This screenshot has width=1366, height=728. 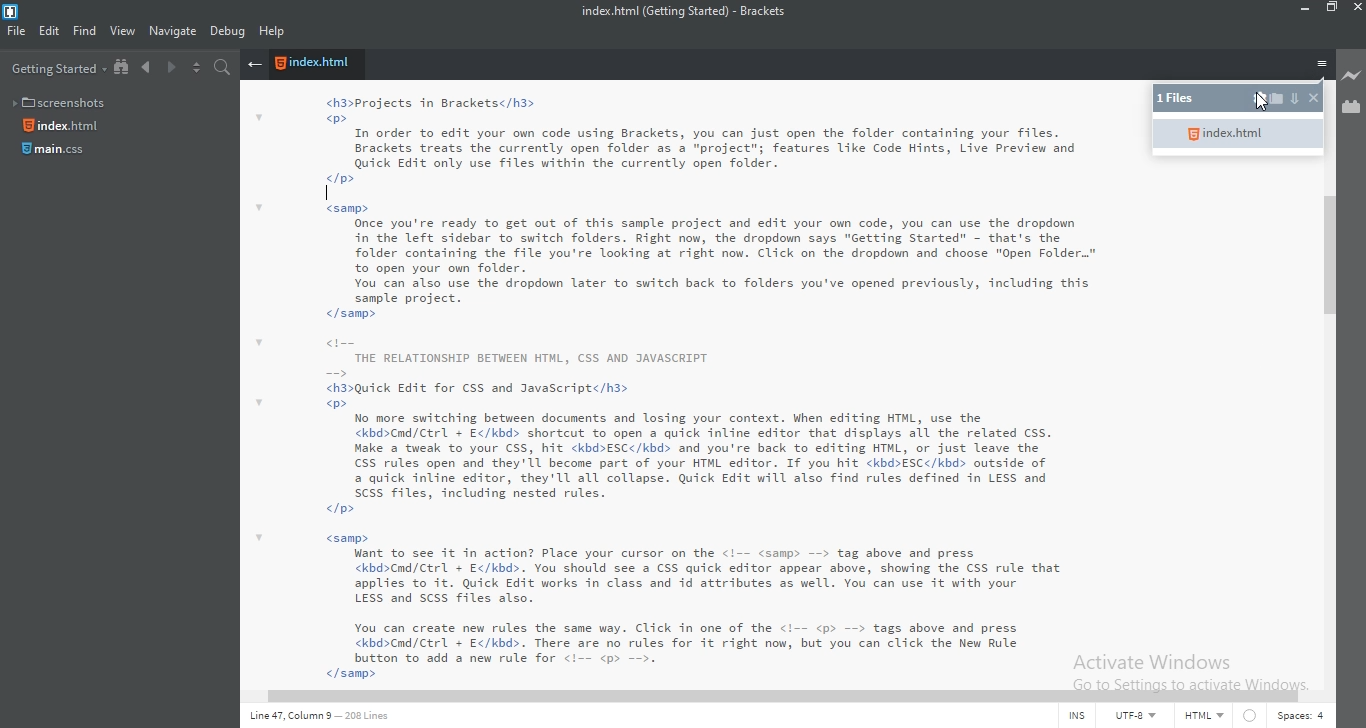 I want to click on Index.html, so click(x=316, y=65).